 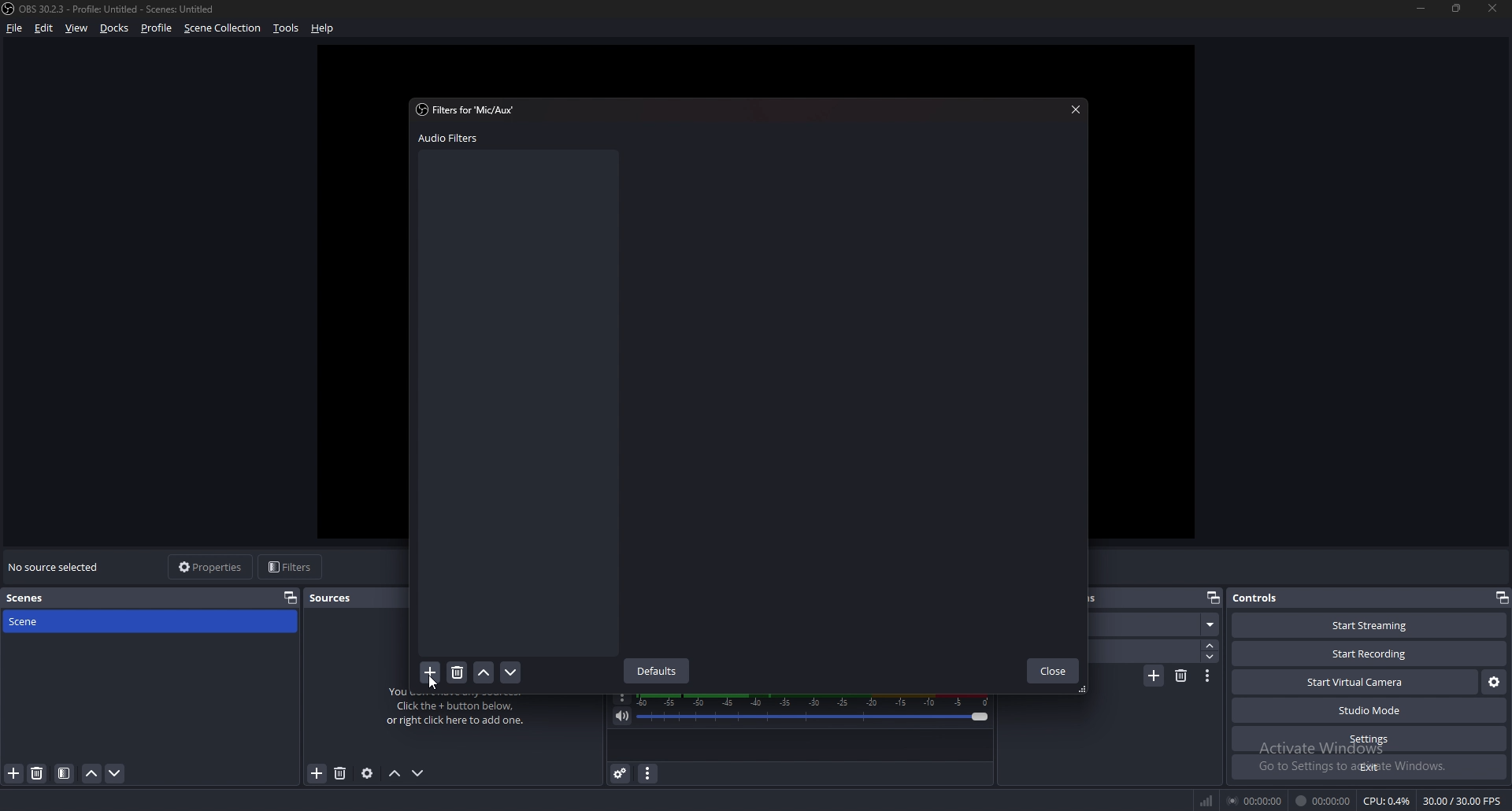 I want to click on properties, so click(x=291, y=598).